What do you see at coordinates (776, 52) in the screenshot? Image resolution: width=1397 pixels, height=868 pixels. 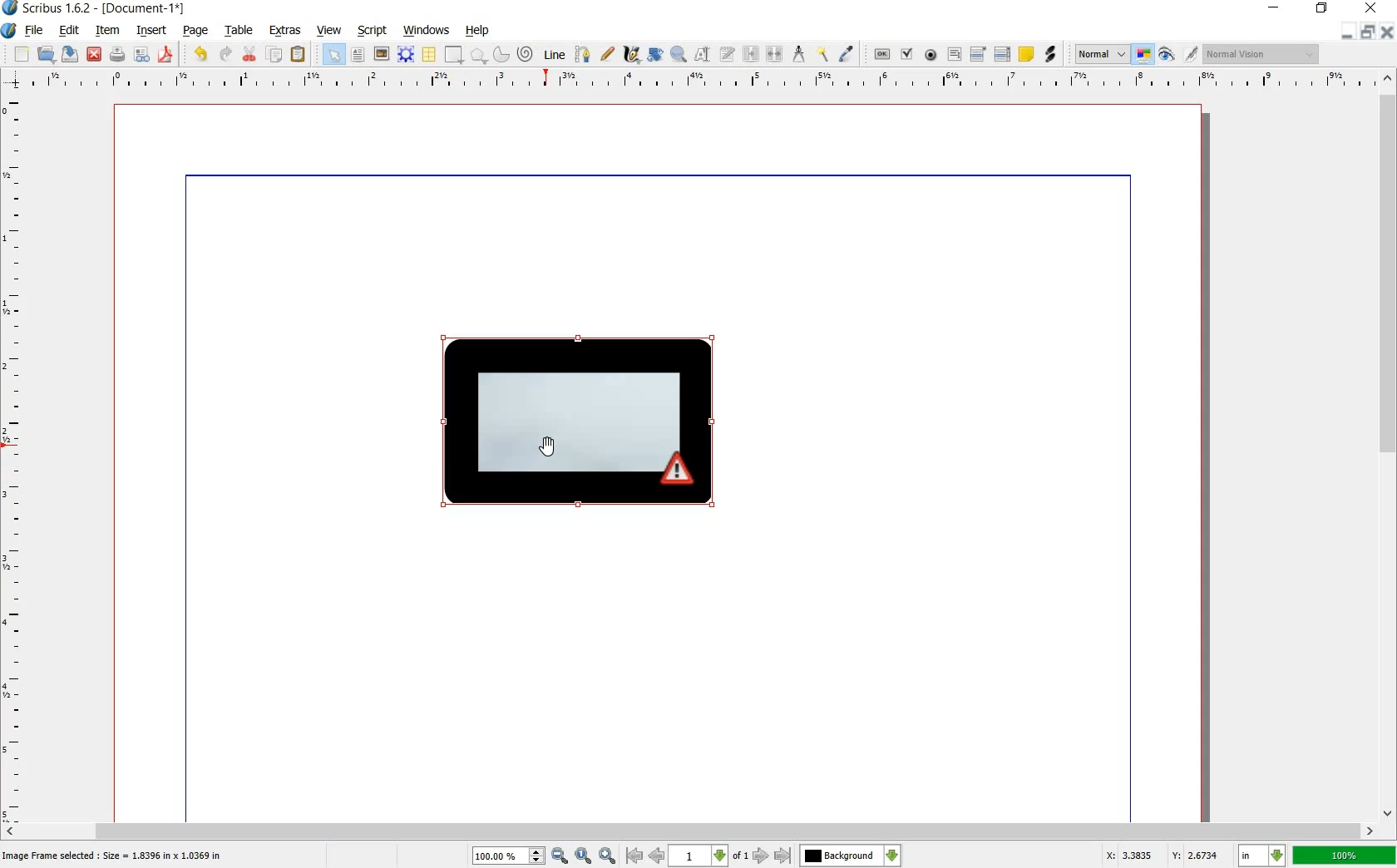 I see `unlink text frames` at bounding box center [776, 52].